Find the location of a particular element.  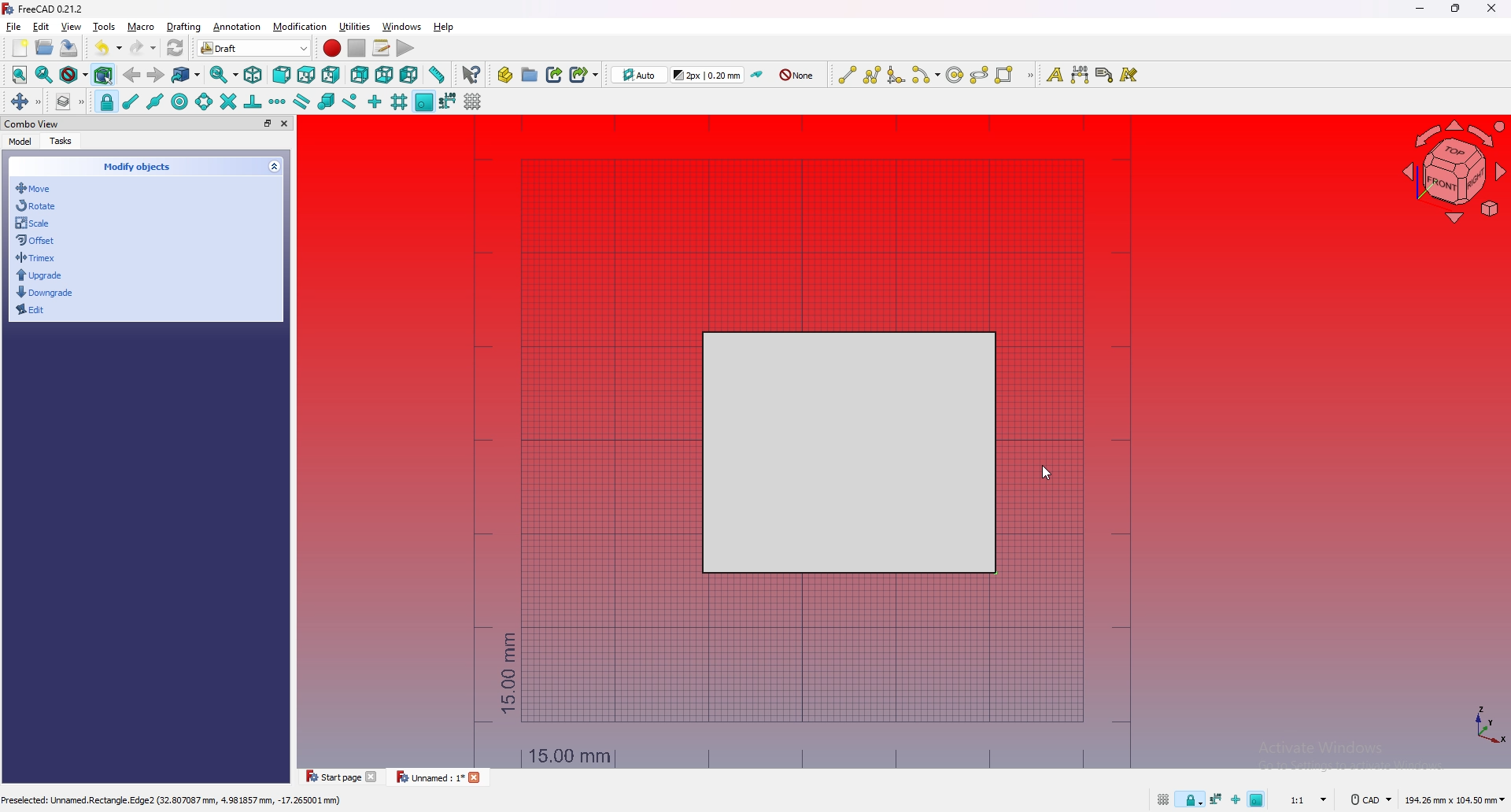

snap extension is located at coordinates (278, 101).